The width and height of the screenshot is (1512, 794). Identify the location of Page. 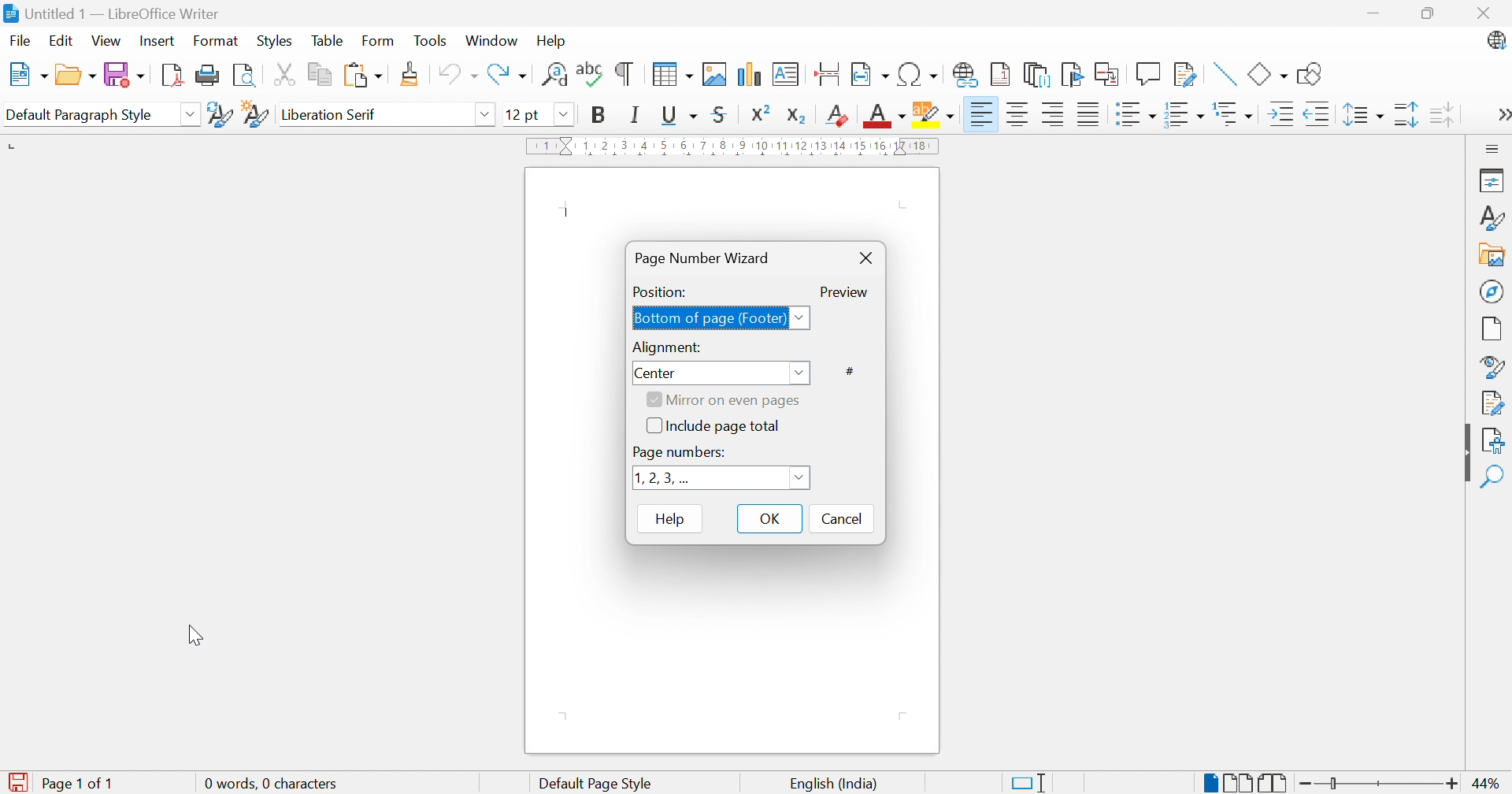
(1493, 329).